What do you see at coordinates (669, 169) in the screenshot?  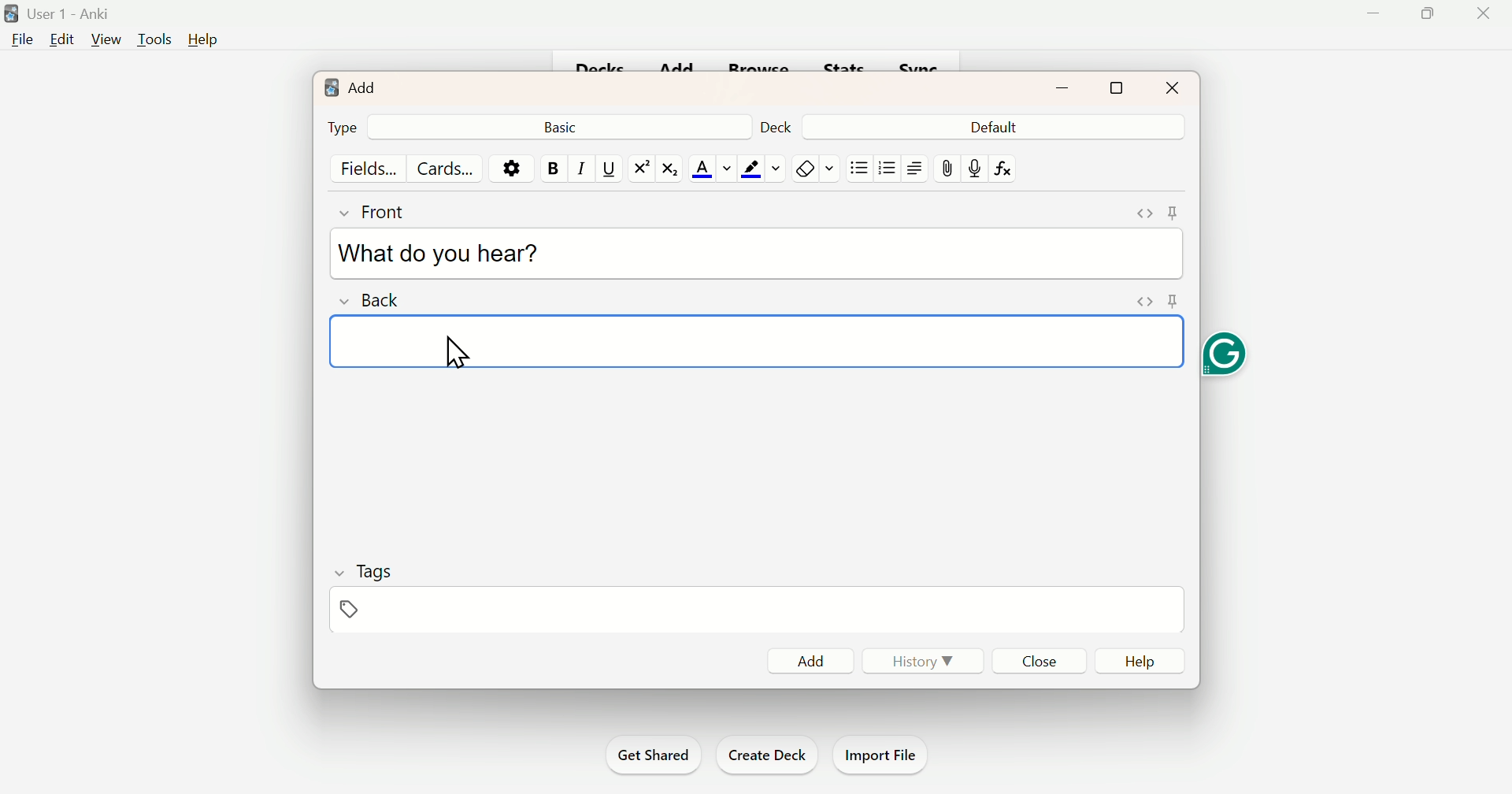 I see `Subscript` at bounding box center [669, 169].